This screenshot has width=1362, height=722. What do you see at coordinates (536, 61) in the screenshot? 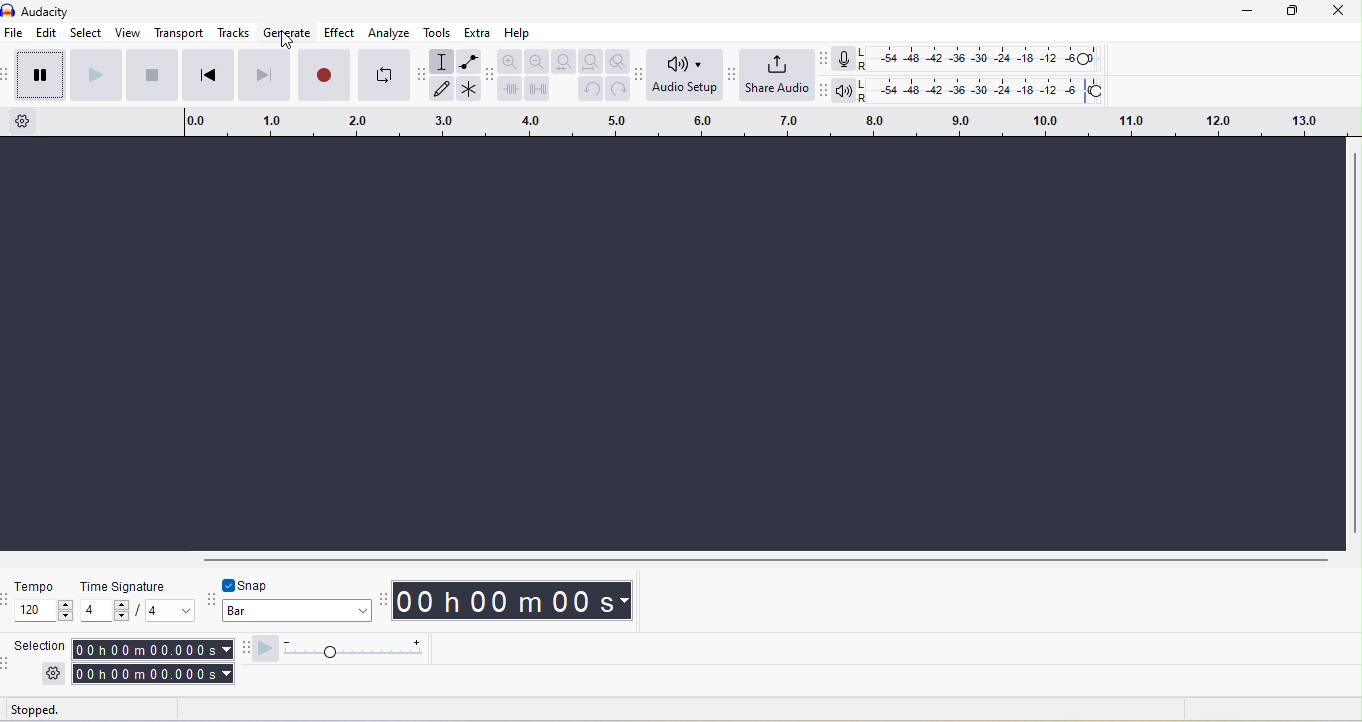
I see `zoom out` at bounding box center [536, 61].